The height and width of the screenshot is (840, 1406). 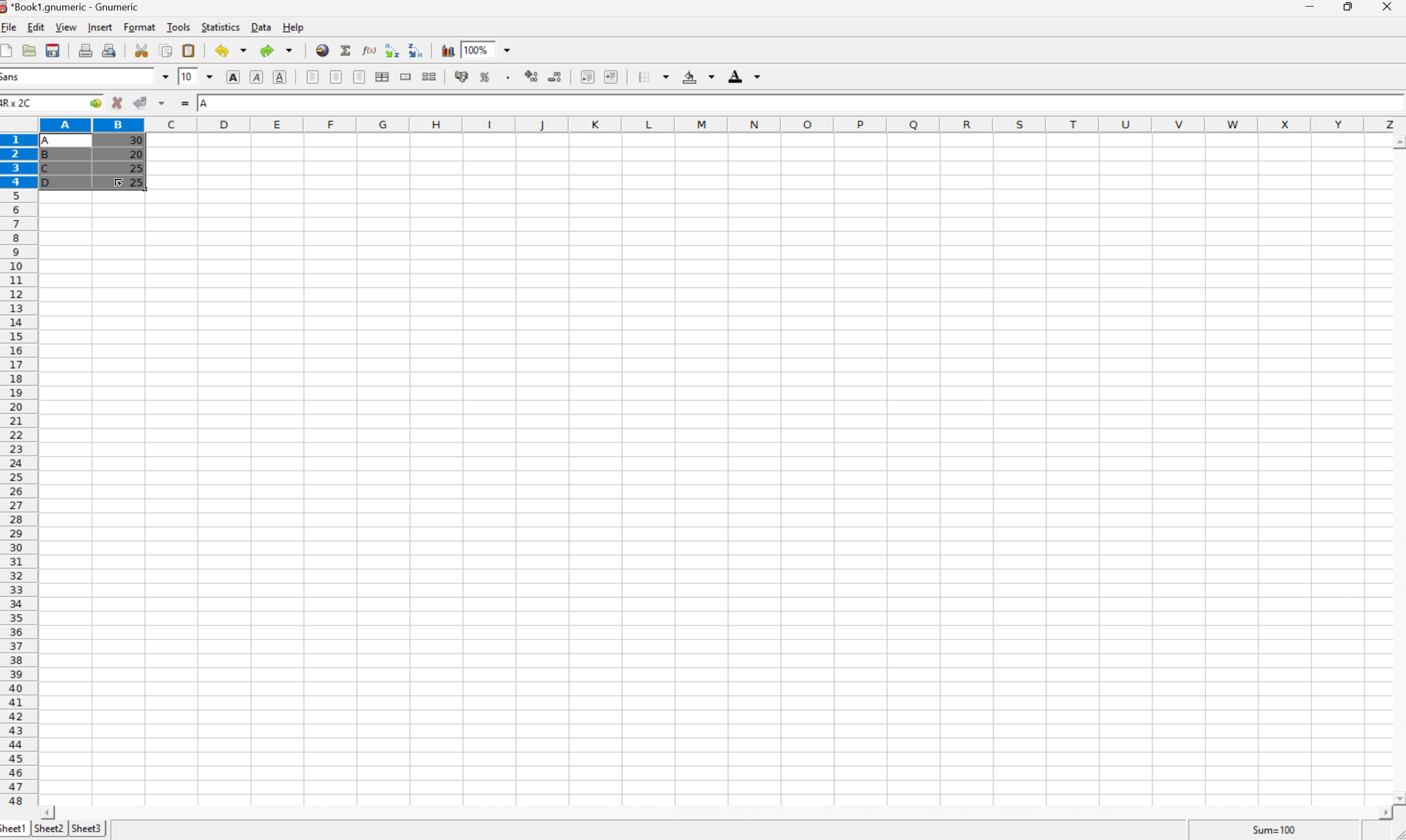 What do you see at coordinates (163, 101) in the screenshot?
I see `Accept changes in multiple cells` at bounding box center [163, 101].